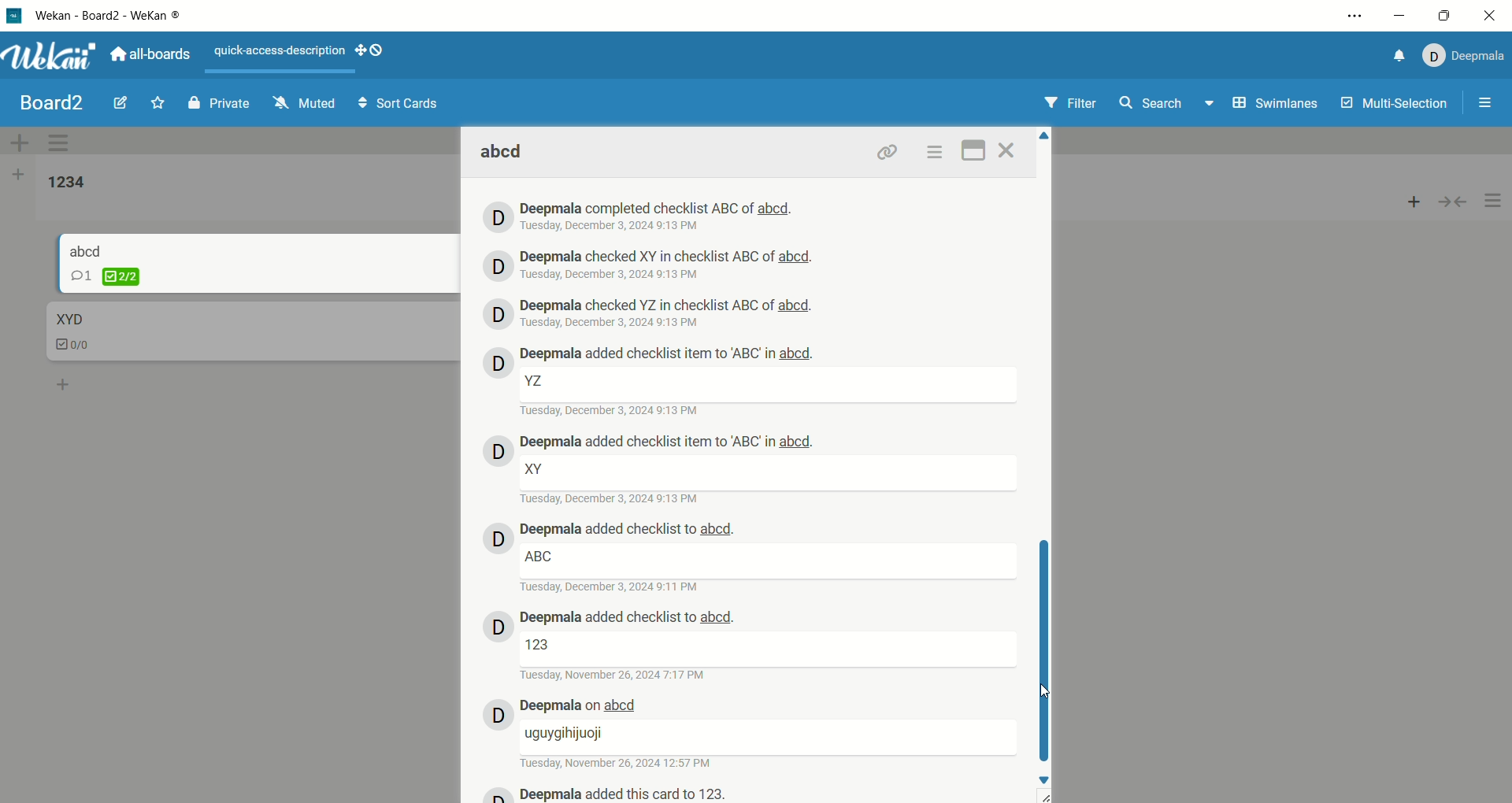 The width and height of the screenshot is (1512, 803). Describe the element at coordinates (67, 183) in the screenshot. I see `list title` at that location.